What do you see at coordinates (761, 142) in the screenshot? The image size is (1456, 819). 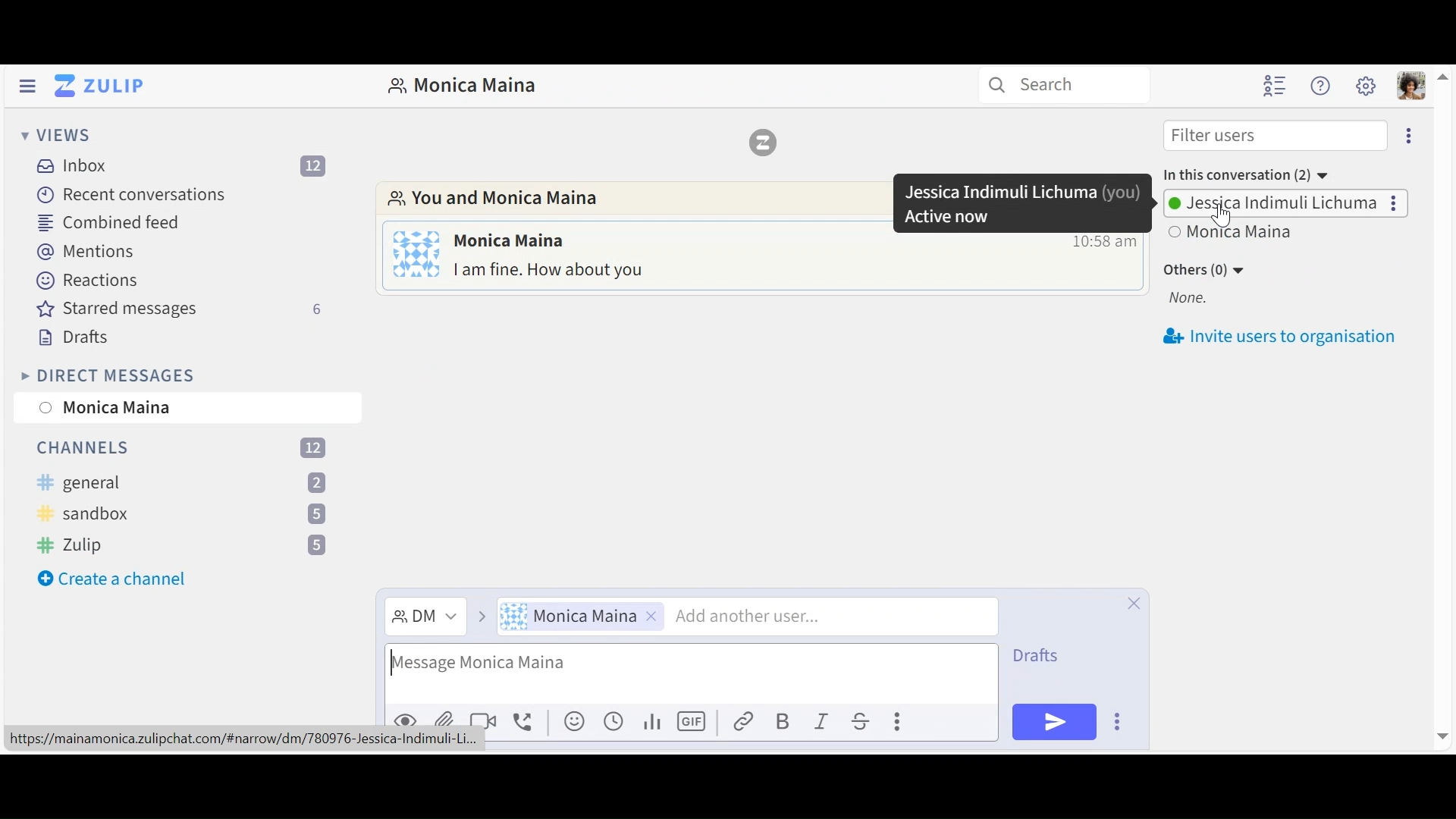 I see `Zulip` at bounding box center [761, 142].